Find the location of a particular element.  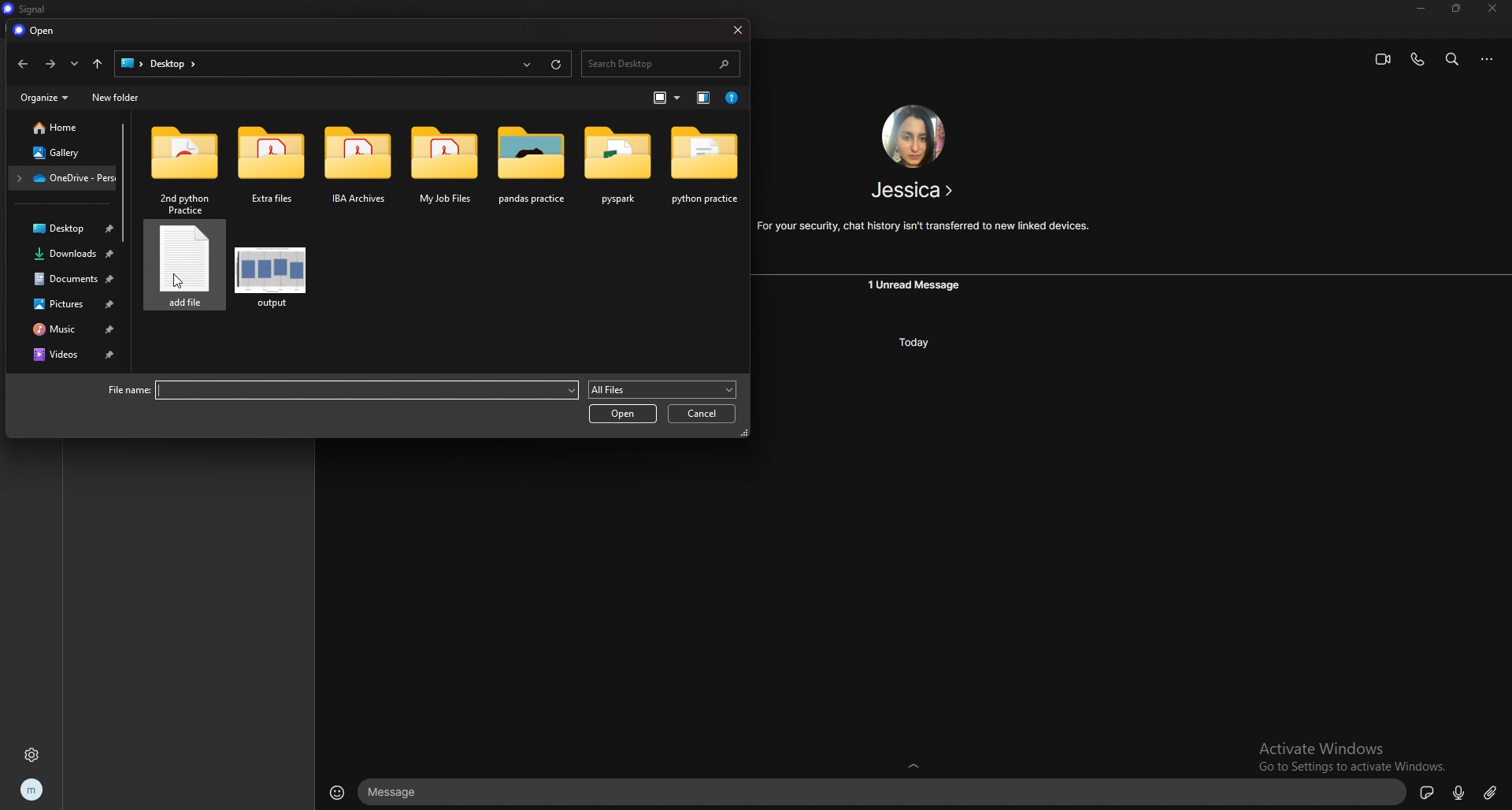

folder is located at coordinates (62, 179).